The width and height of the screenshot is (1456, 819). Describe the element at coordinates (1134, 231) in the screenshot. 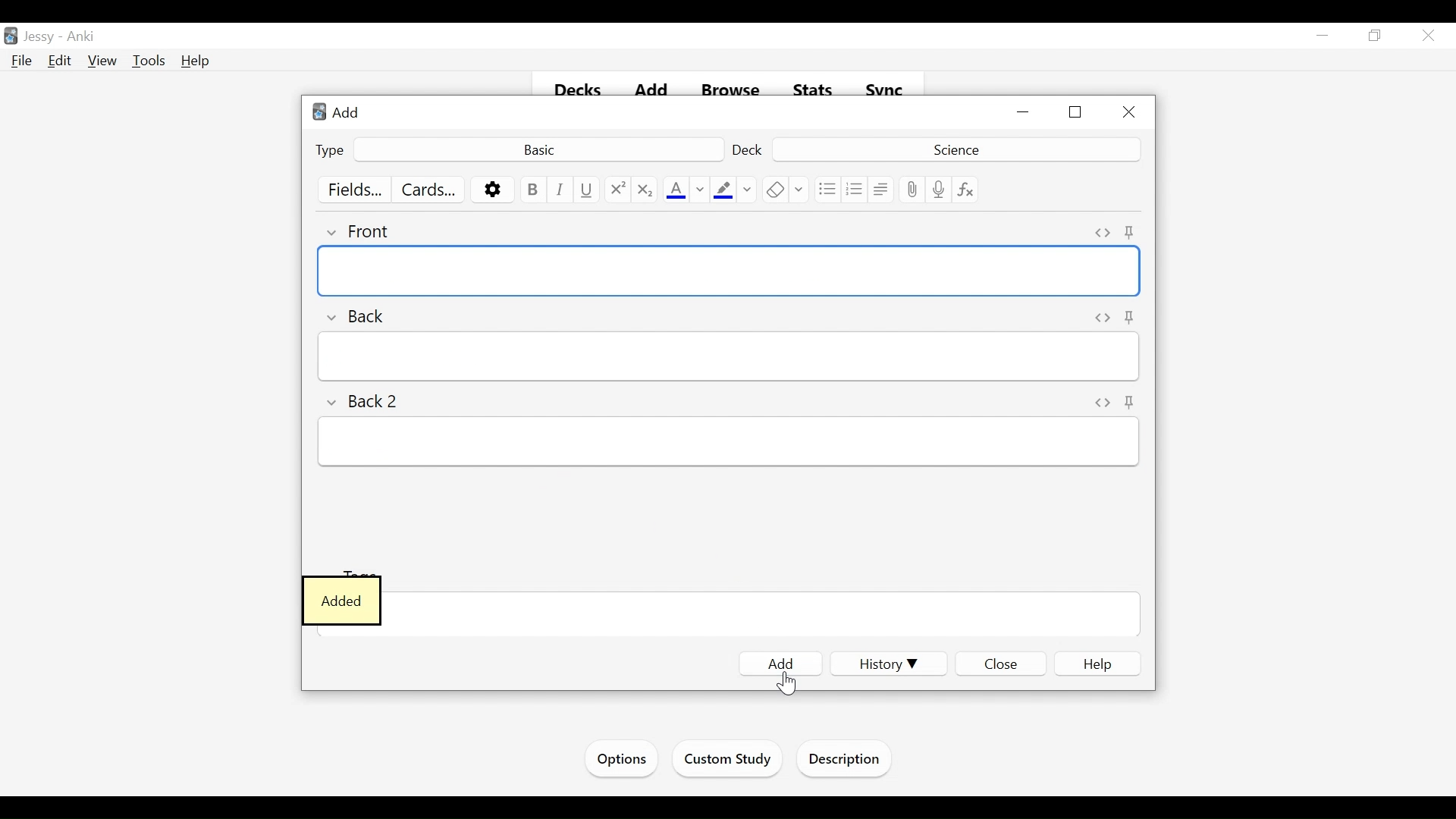

I see `Toggle sticky` at that location.